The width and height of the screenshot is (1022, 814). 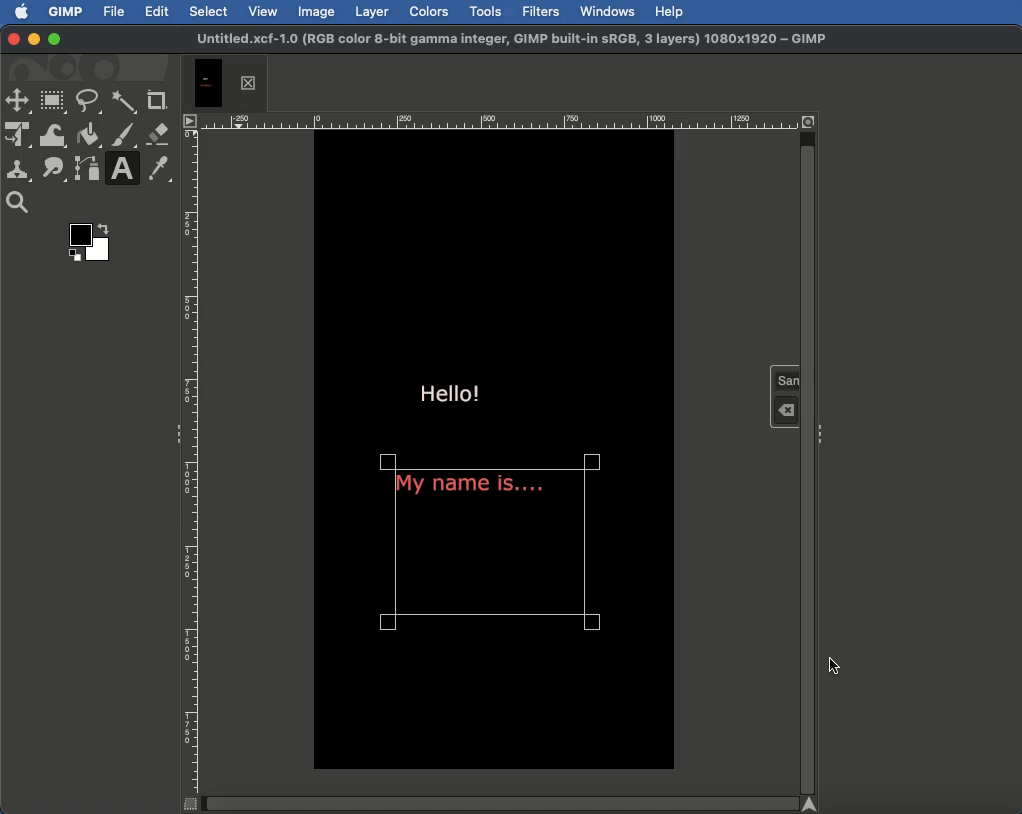 I want to click on Close, so click(x=11, y=38).